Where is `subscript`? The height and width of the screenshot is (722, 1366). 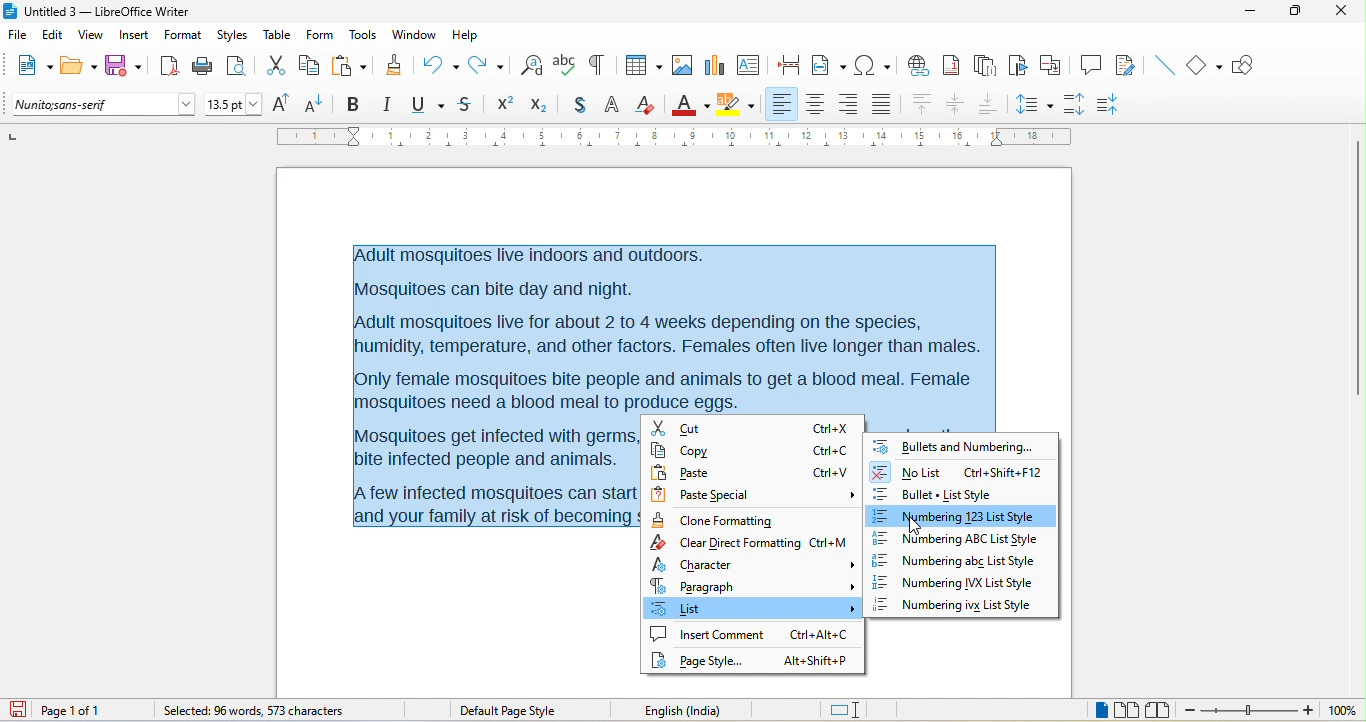
subscript is located at coordinates (537, 105).